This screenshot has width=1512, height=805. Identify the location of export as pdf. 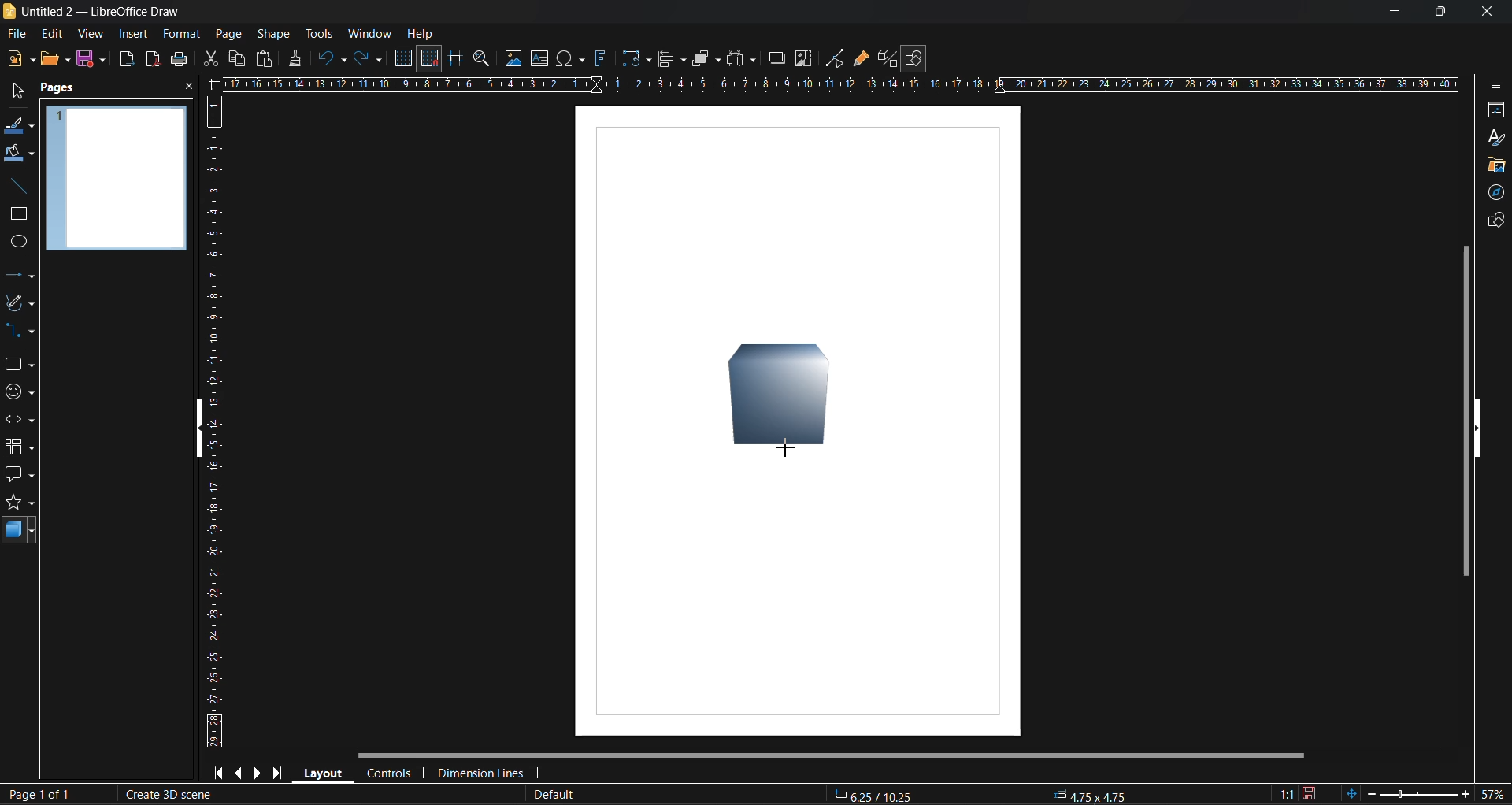
(150, 58).